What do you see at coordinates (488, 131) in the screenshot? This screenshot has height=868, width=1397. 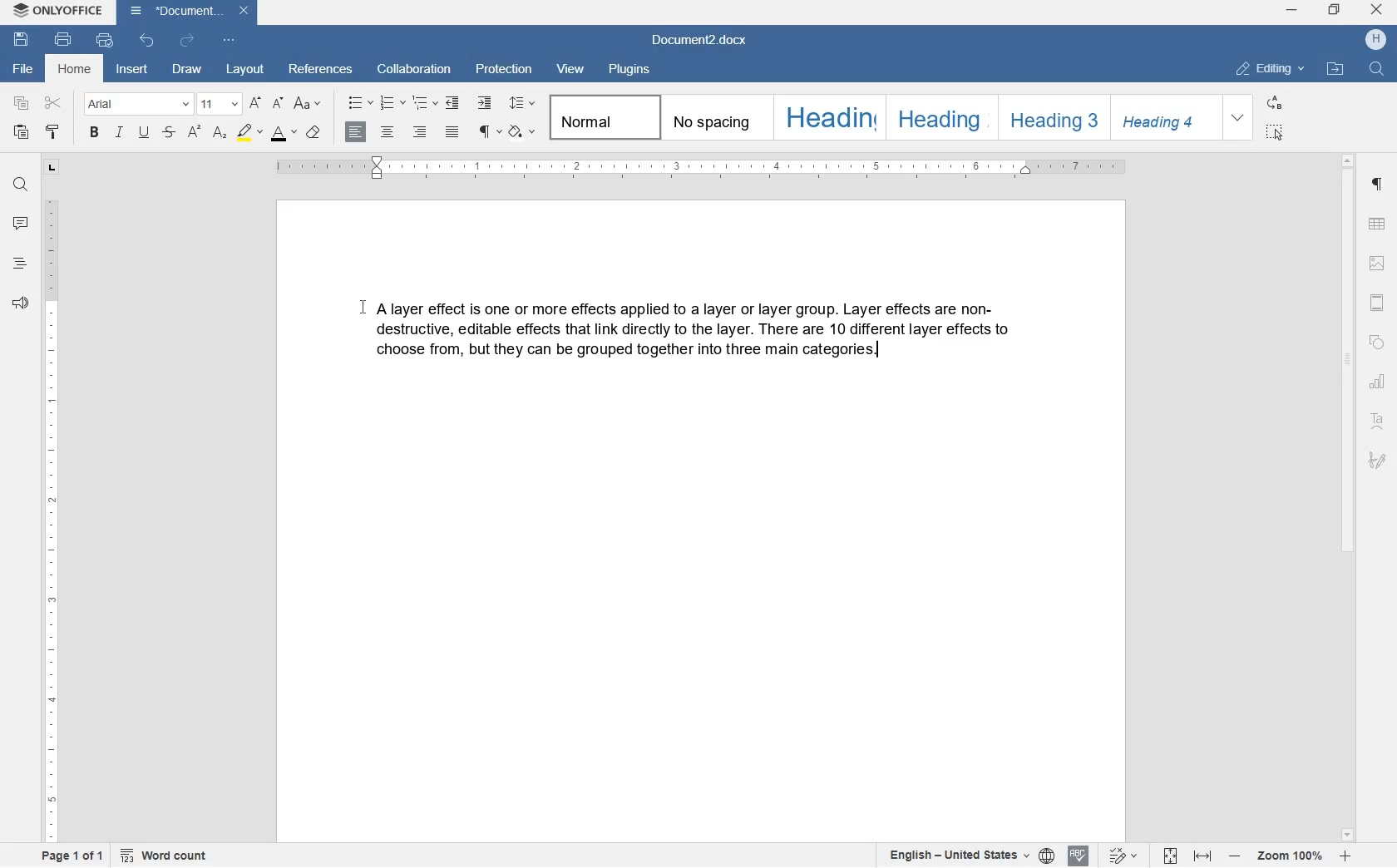 I see `nonprinting characters` at bounding box center [488, 131].